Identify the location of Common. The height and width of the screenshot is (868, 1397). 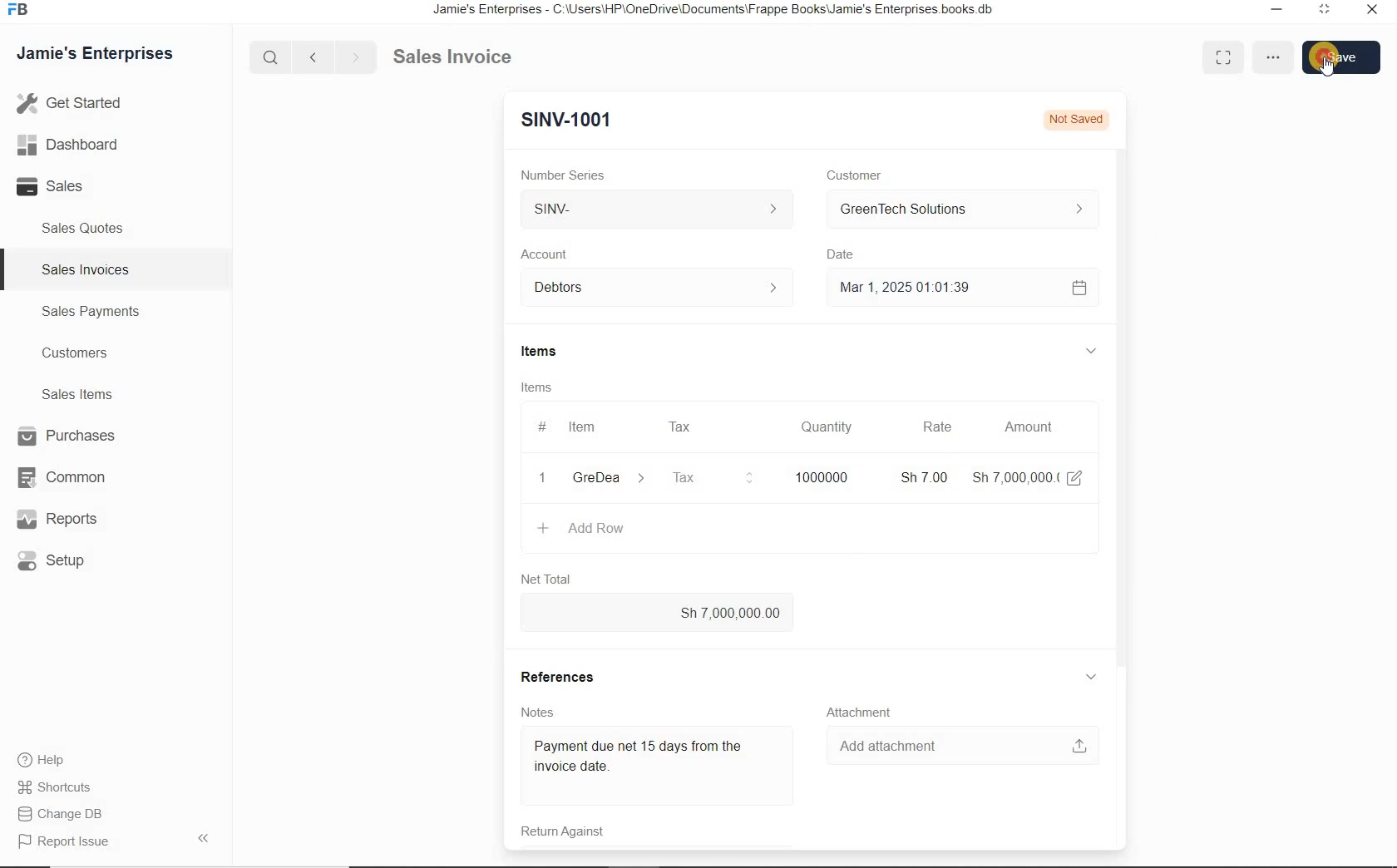
(59, 476).